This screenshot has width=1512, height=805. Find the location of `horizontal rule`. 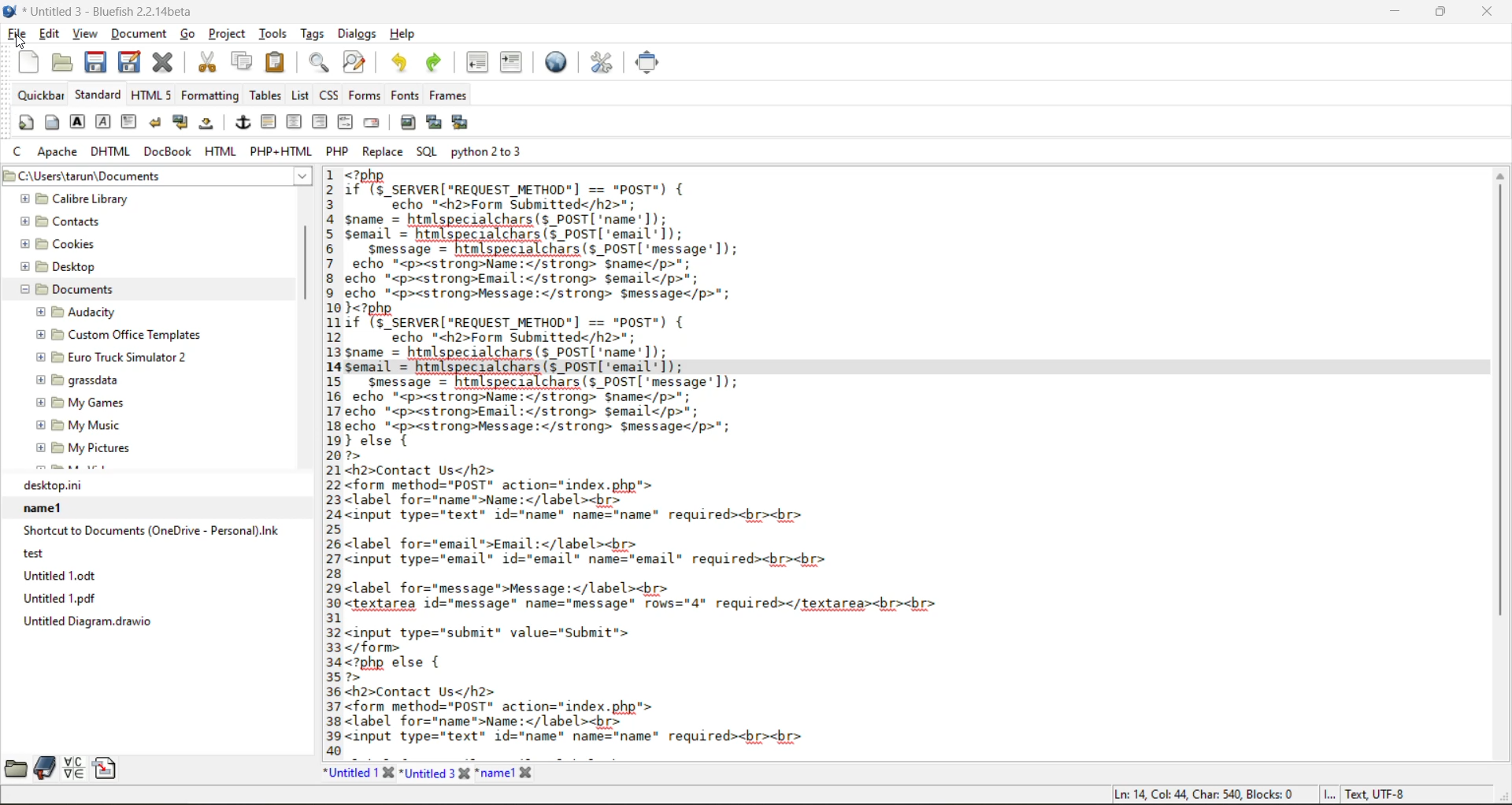

horizontal rule is located at coordinates (269, 122).